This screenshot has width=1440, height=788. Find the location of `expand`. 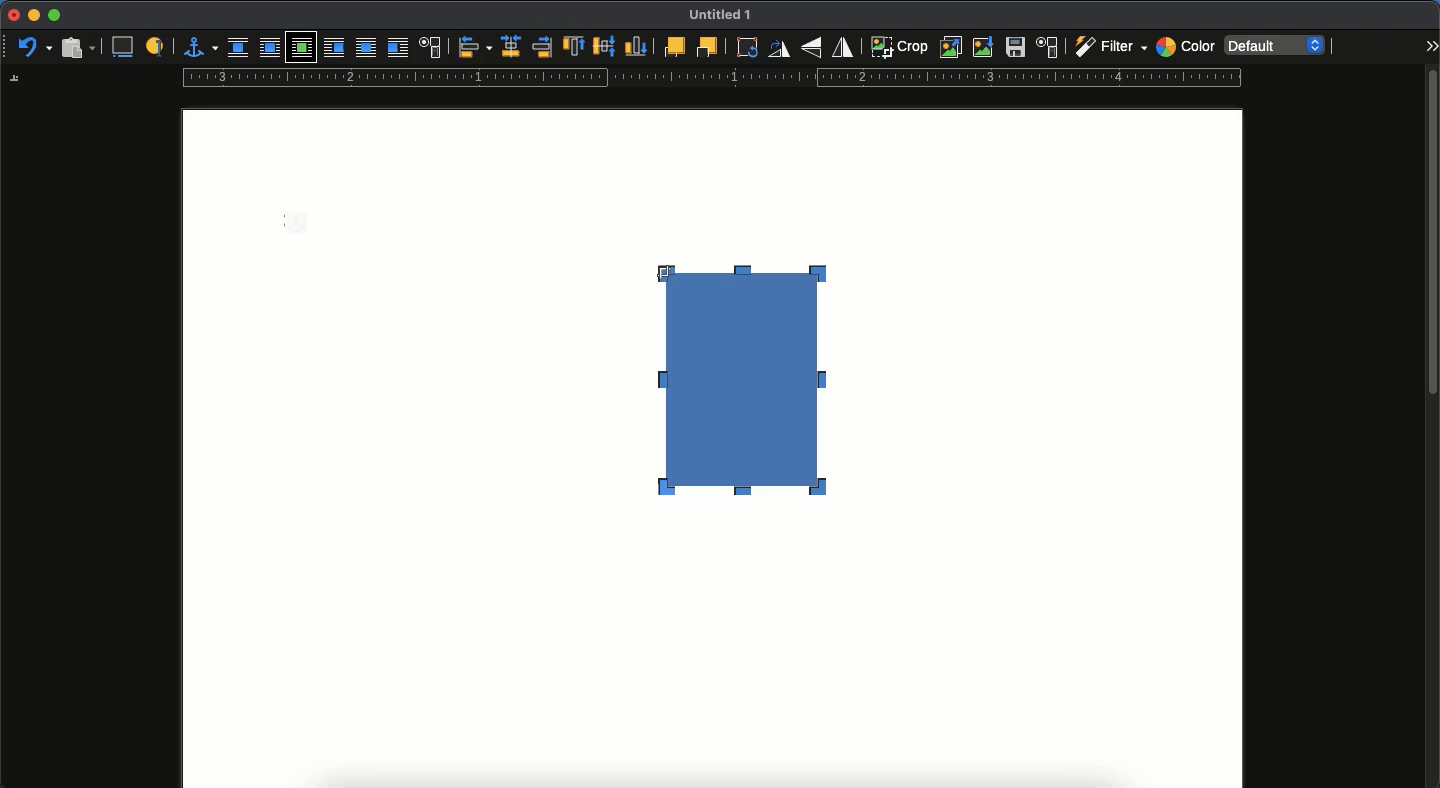

expand is located at coordinates (1431, 45).